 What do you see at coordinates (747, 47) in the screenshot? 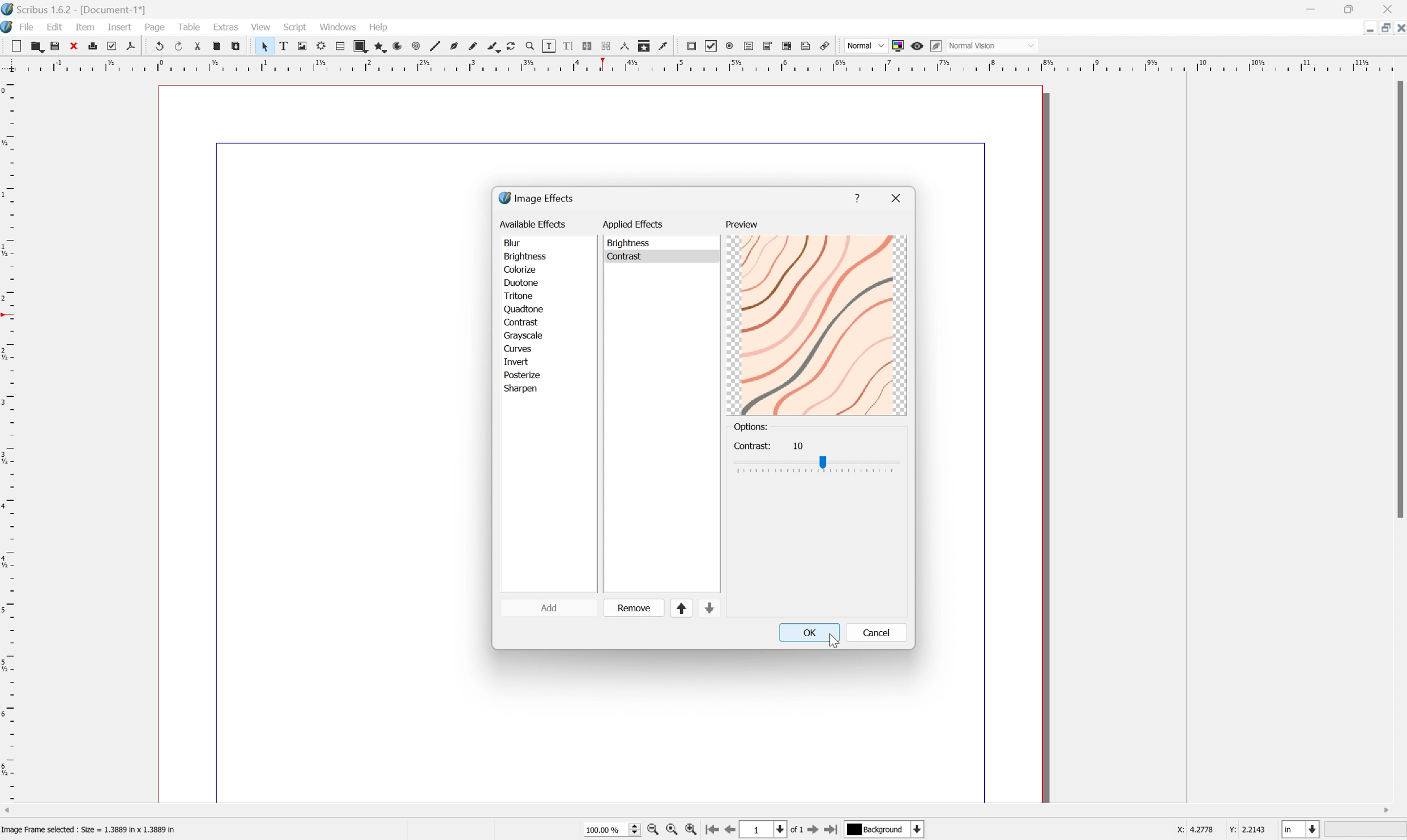
I see `PDF text field` at bounding box center [747, 47].